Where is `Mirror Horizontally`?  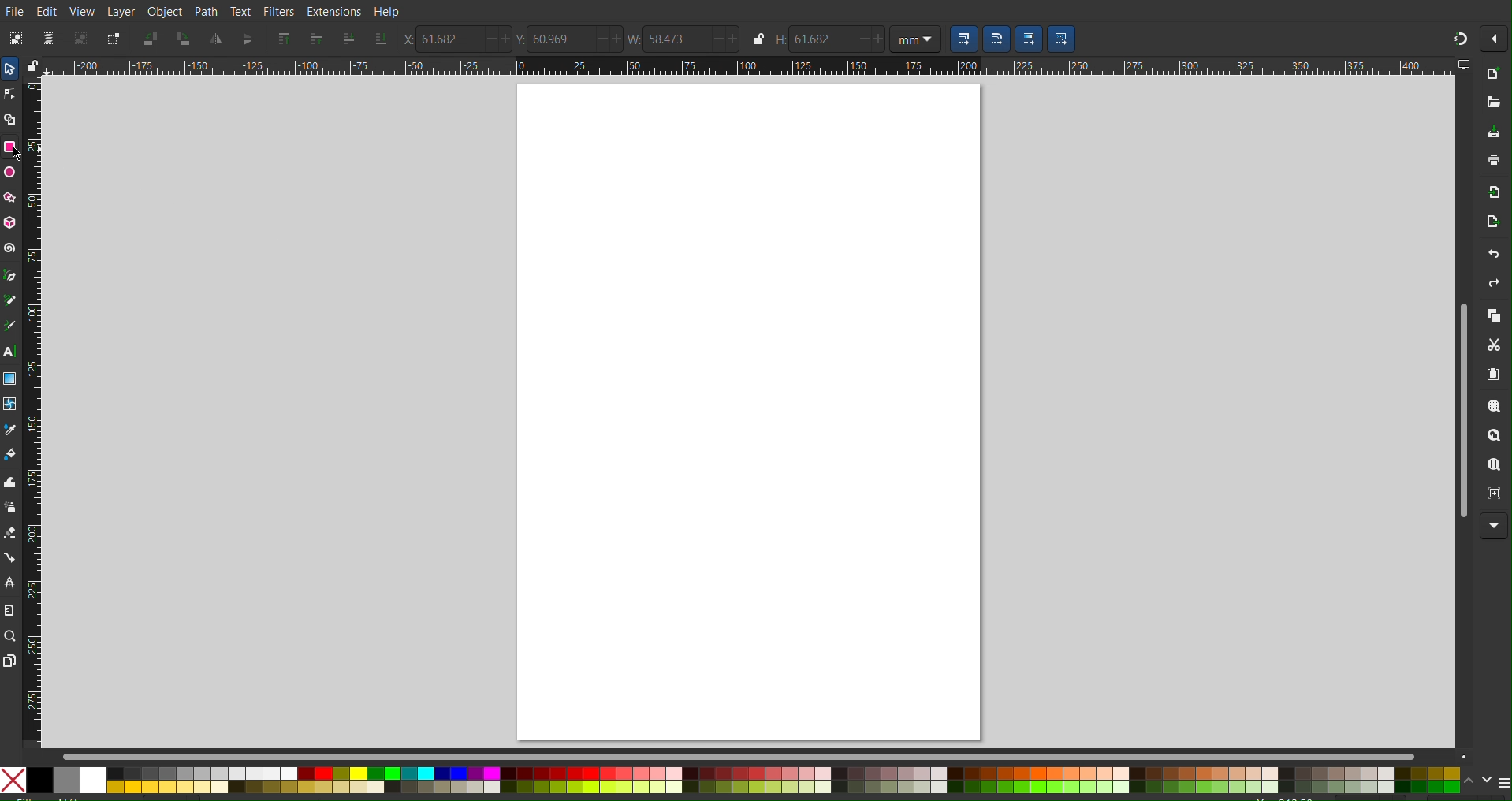 Mirror Horizontally is located at coordinates (247, 39).